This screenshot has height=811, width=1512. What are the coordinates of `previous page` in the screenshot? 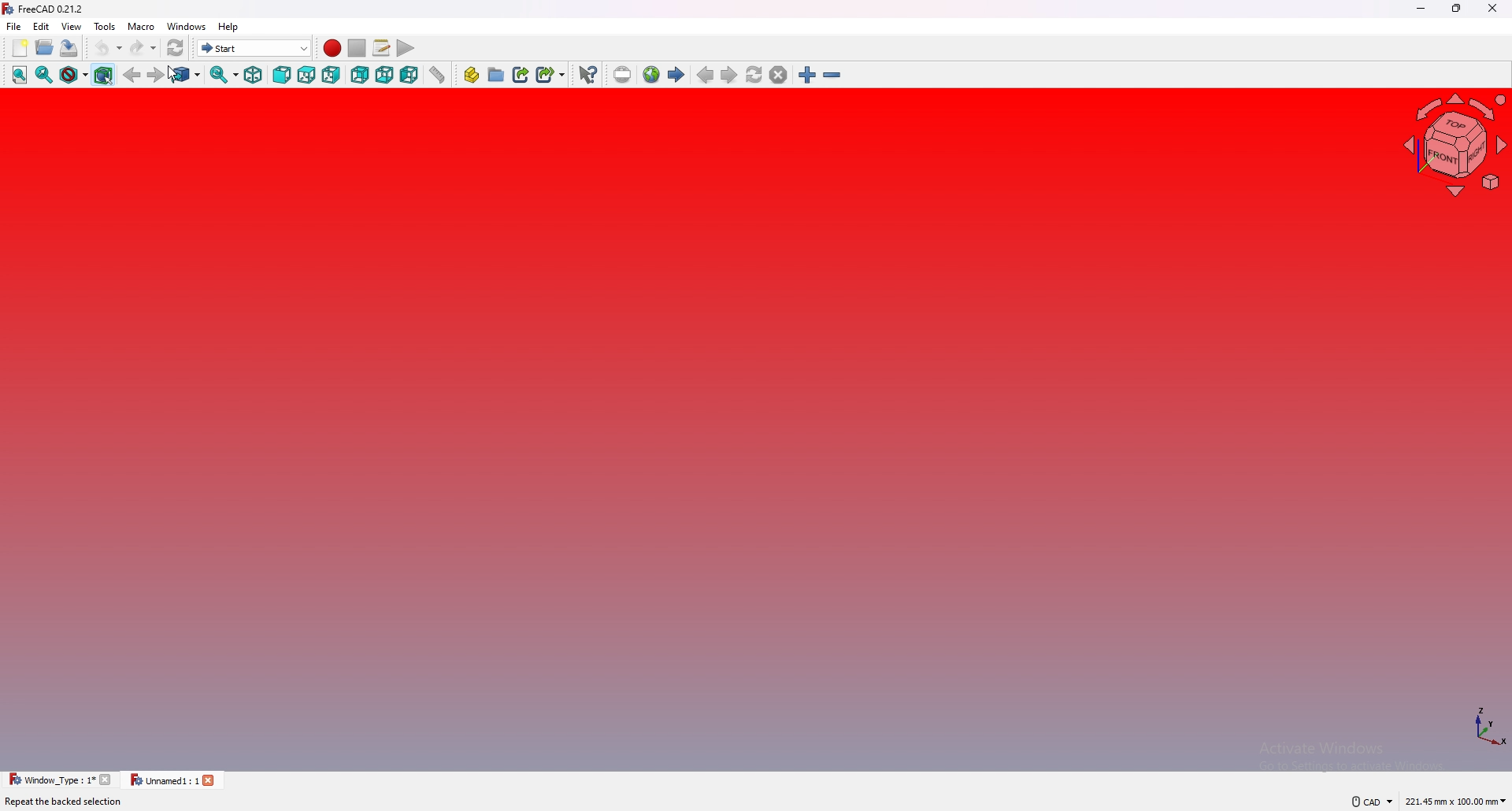 It's located at (706, 76).